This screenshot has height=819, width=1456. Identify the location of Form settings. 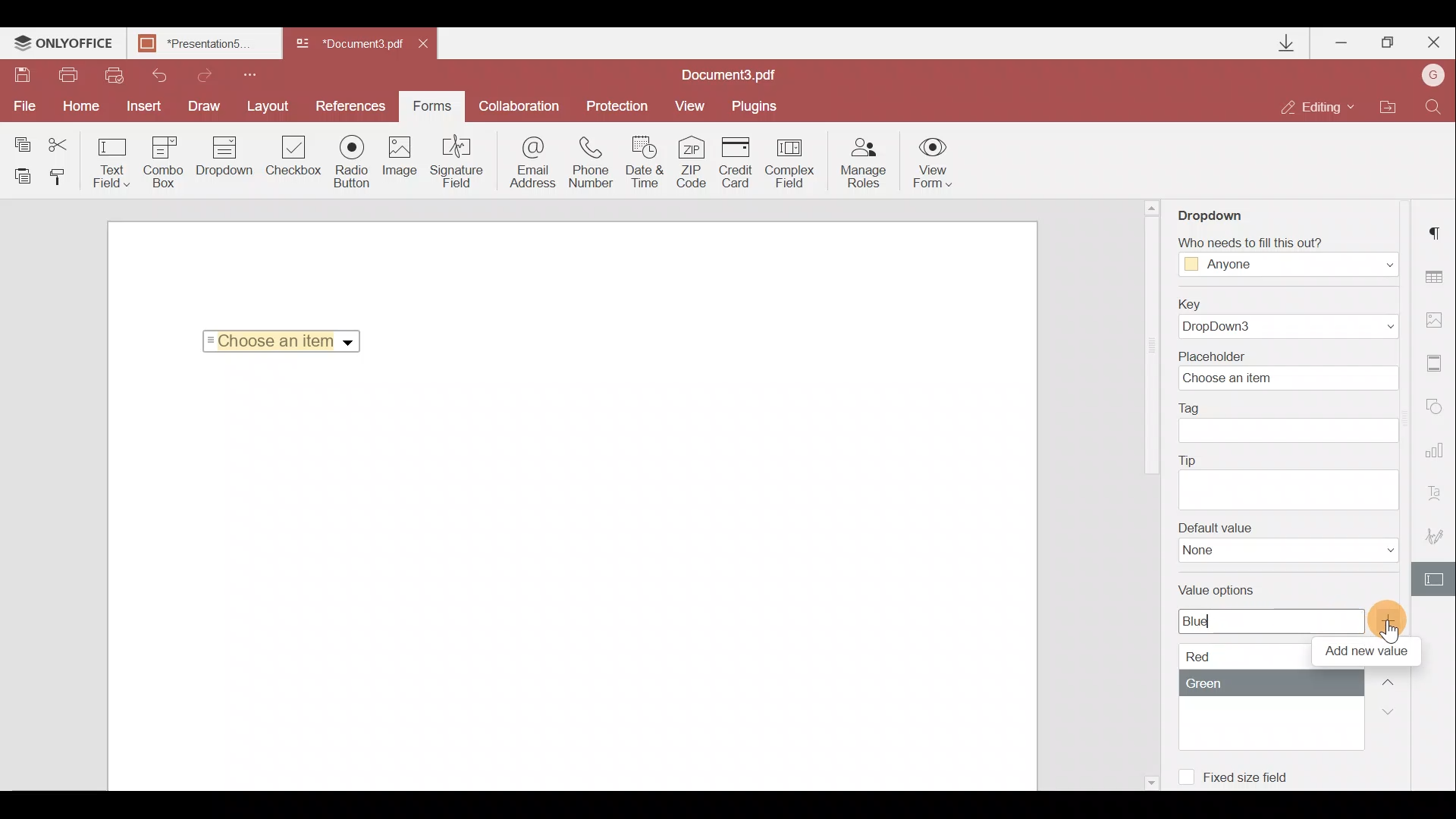
(1434, 578).